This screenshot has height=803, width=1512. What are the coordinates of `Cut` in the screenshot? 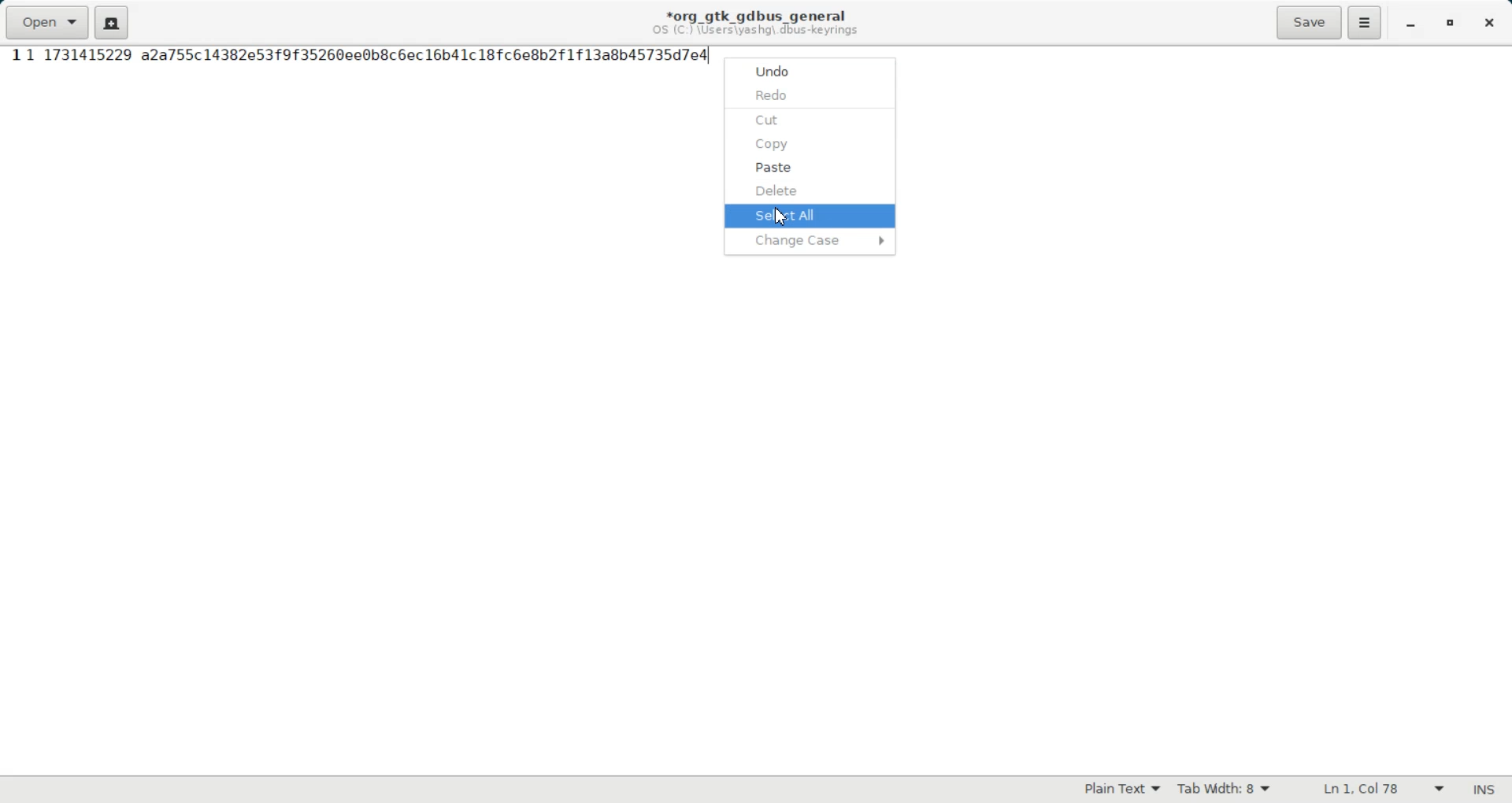 It's located at (810, 119).